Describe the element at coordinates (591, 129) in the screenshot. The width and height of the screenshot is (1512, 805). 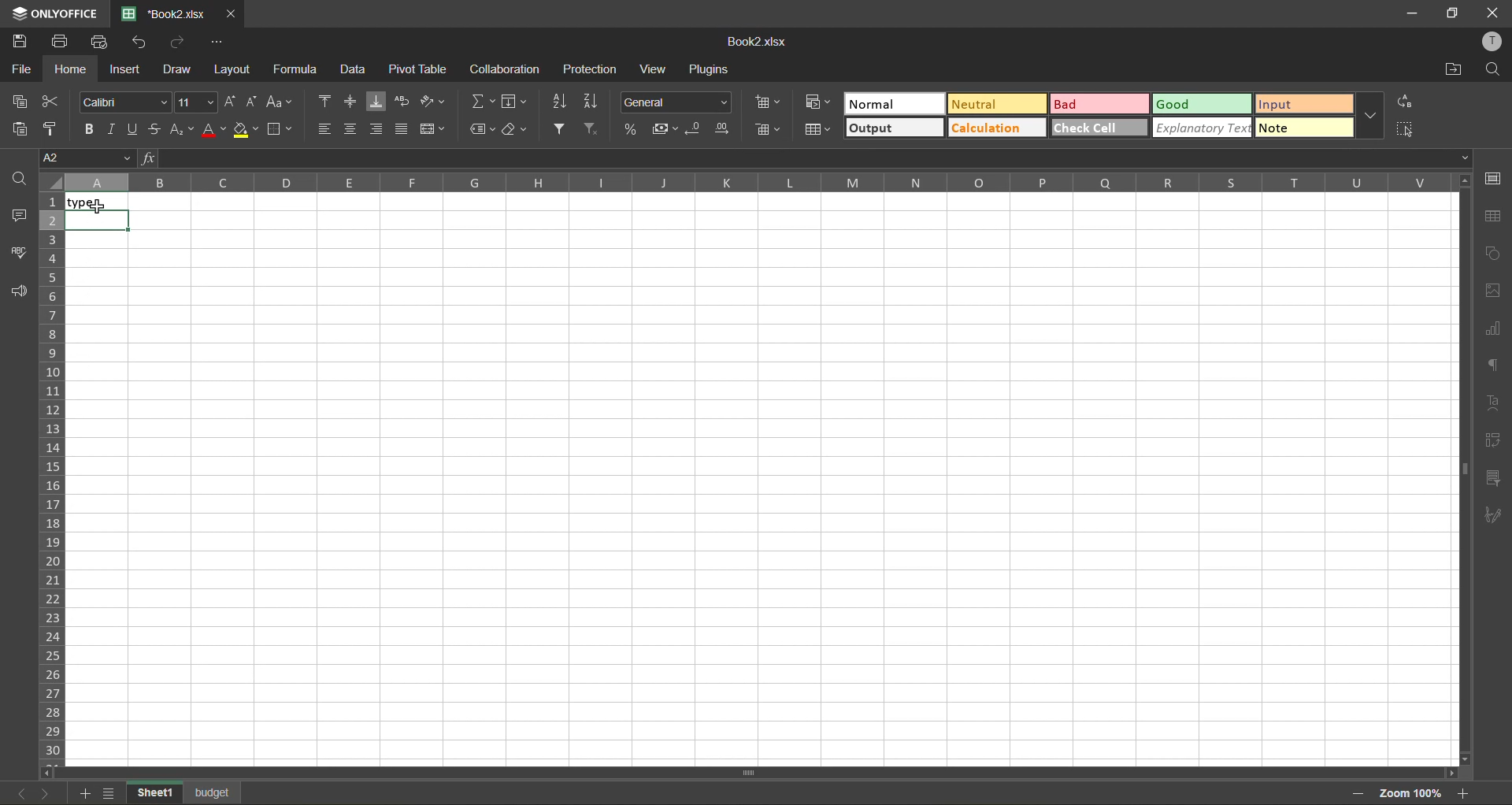
I see `clear filter` at that location.